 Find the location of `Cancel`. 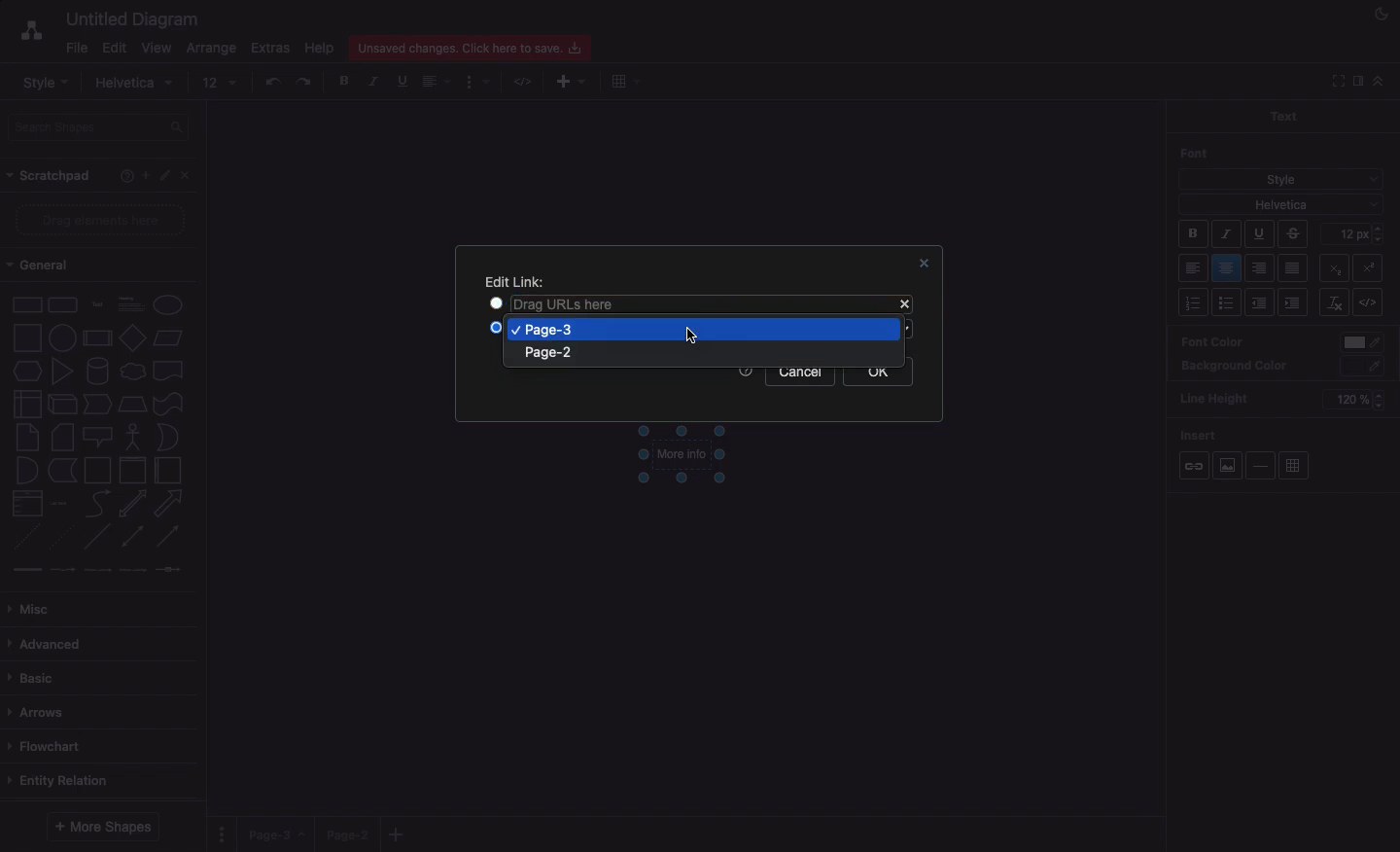

Cancel is located at coordinates (800, 372).